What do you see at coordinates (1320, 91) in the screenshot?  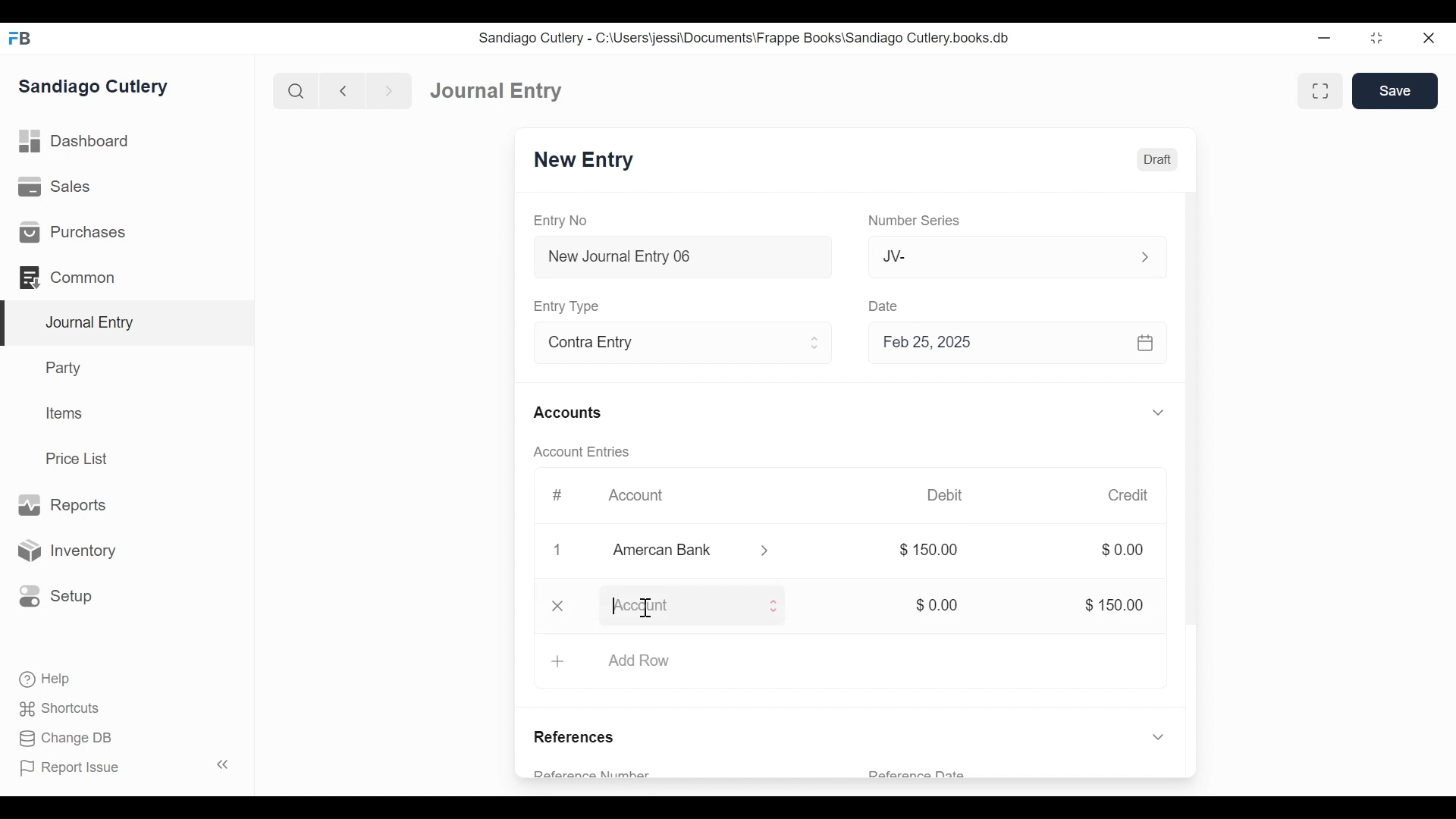 I see `Toggle between form and full width` at bounding box center [1320, 91].